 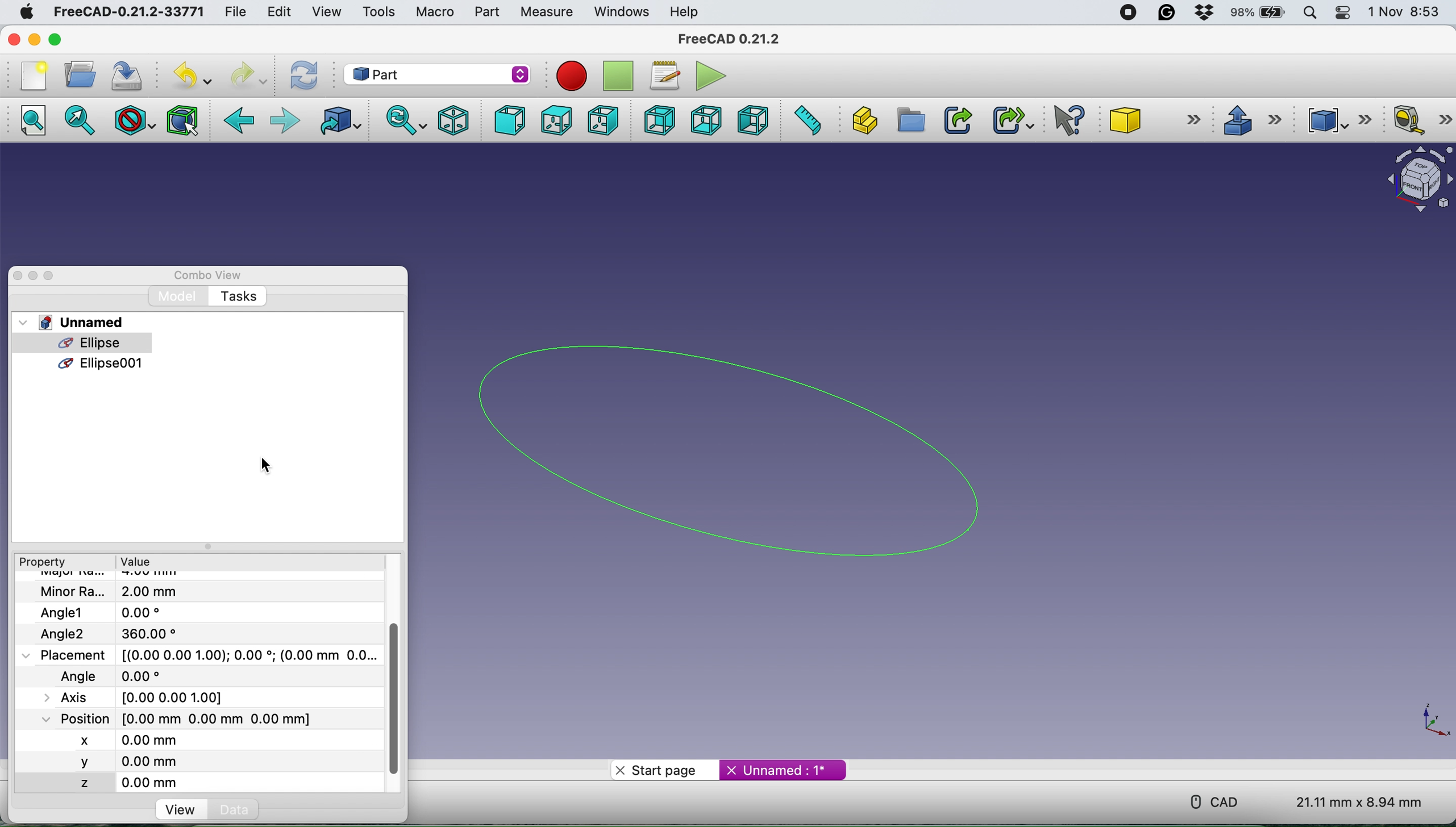 What do you see at coordinates (561, 120) in the screenshot?
I see `top` at bounding box center [561, 120].